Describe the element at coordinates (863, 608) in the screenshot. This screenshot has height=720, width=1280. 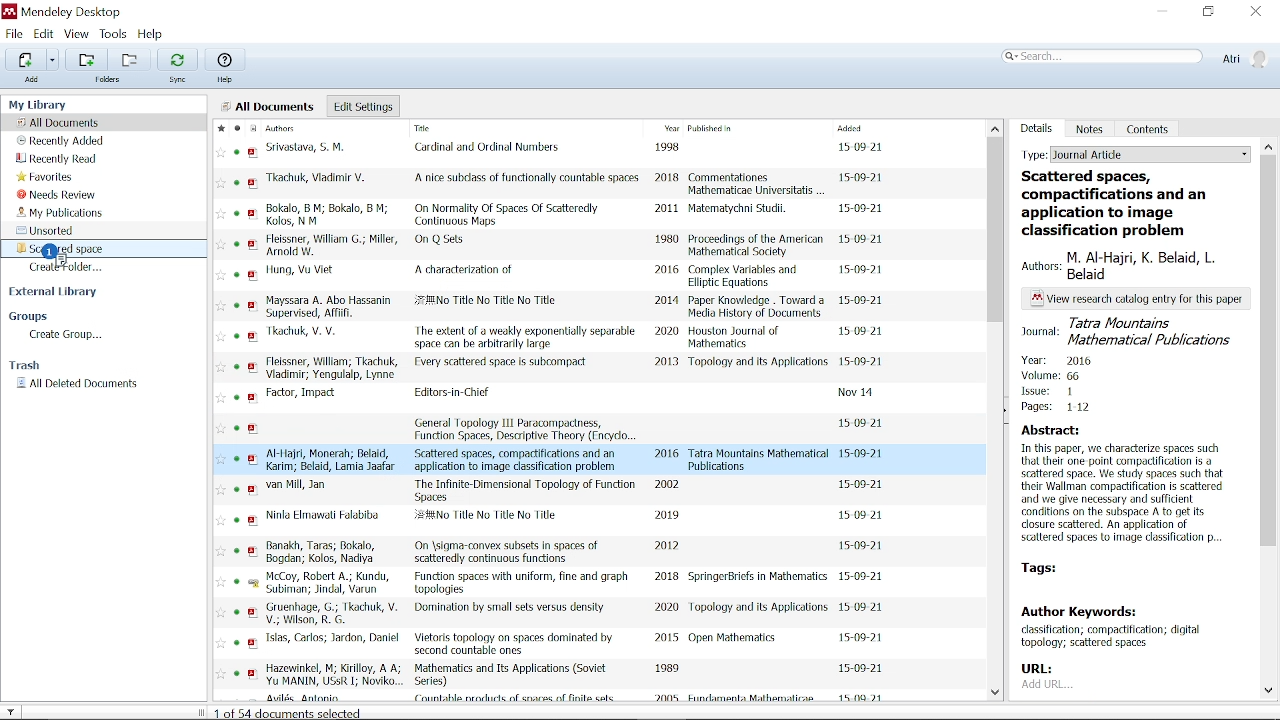
I see `date` at that location.